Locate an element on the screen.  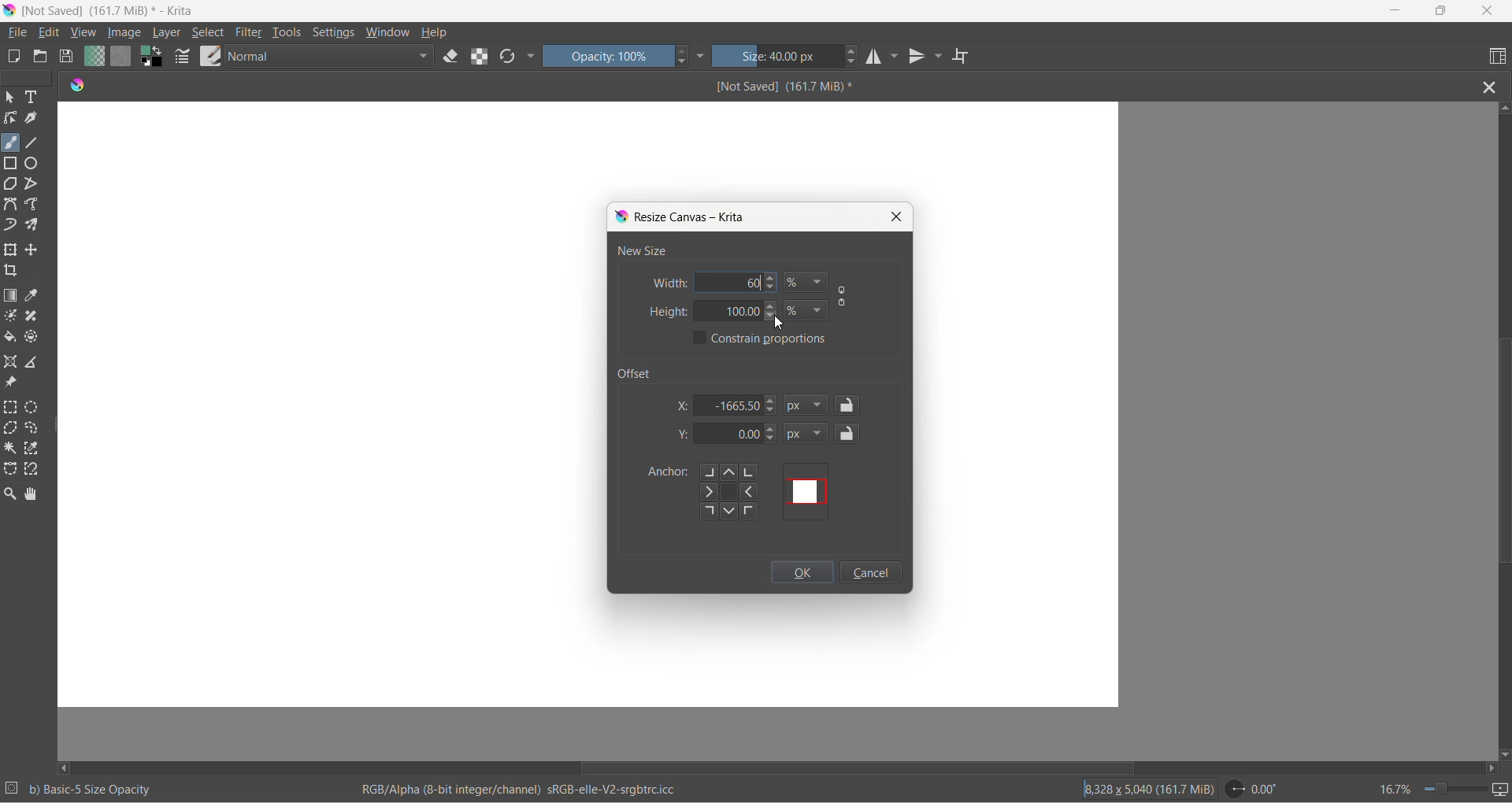
assistant tool is located at coordinates (13, 363).